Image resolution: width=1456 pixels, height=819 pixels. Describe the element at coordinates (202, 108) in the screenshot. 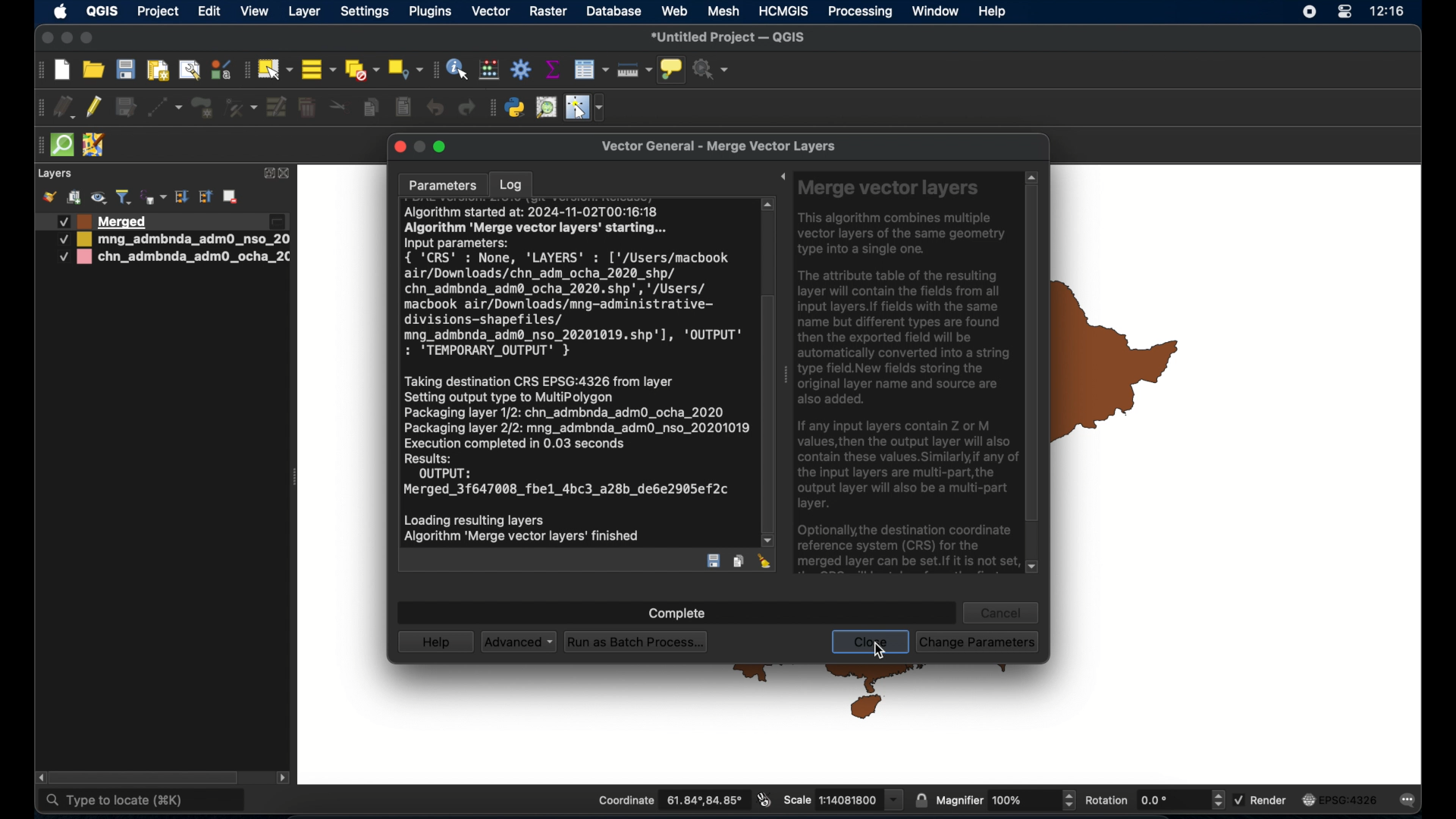

I see `add polygon feature` at that location.